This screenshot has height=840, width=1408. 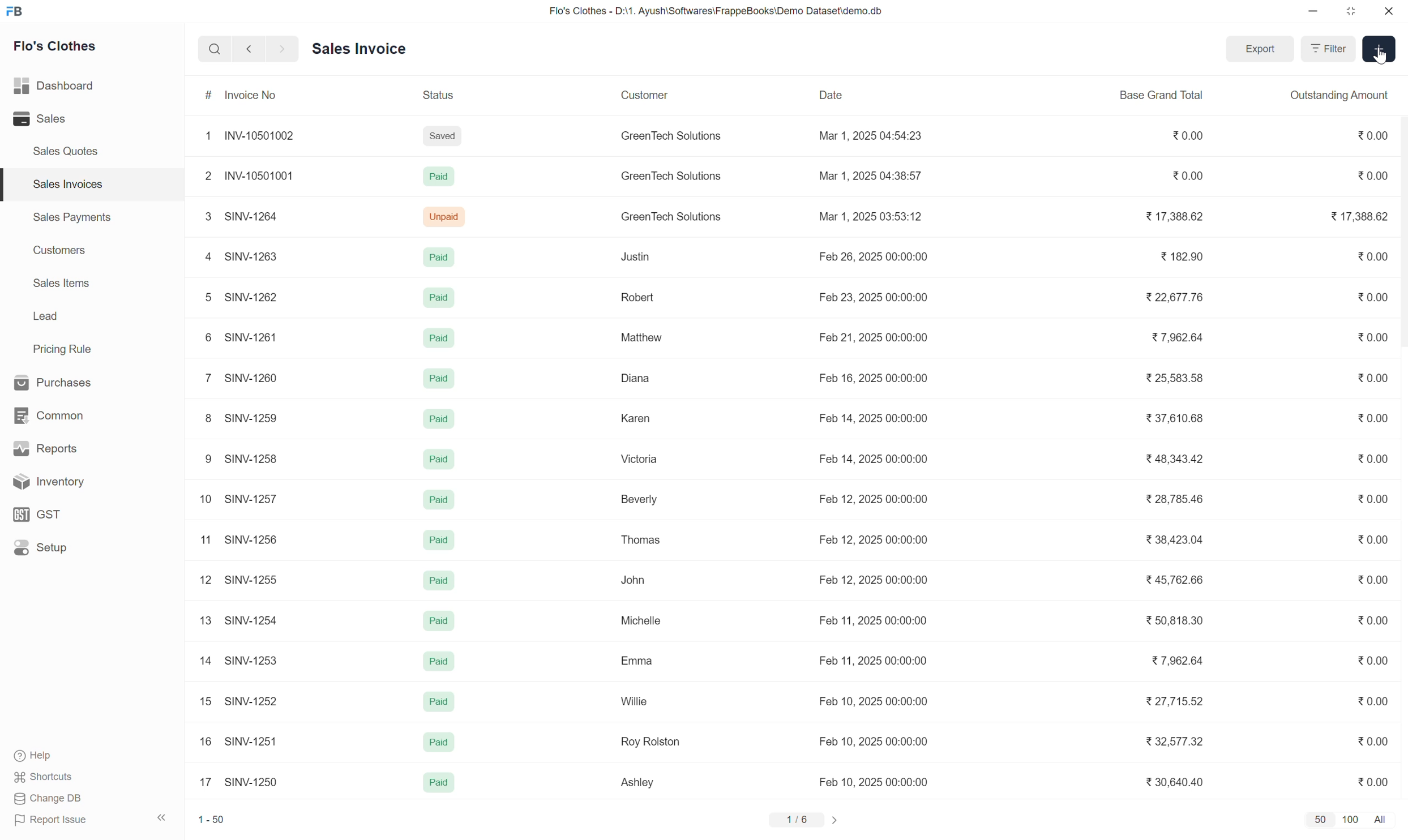 What do you see at coordinates (252, 541) in the screenshot?
I see `SINV-1256` at bounding box center [252, 541].